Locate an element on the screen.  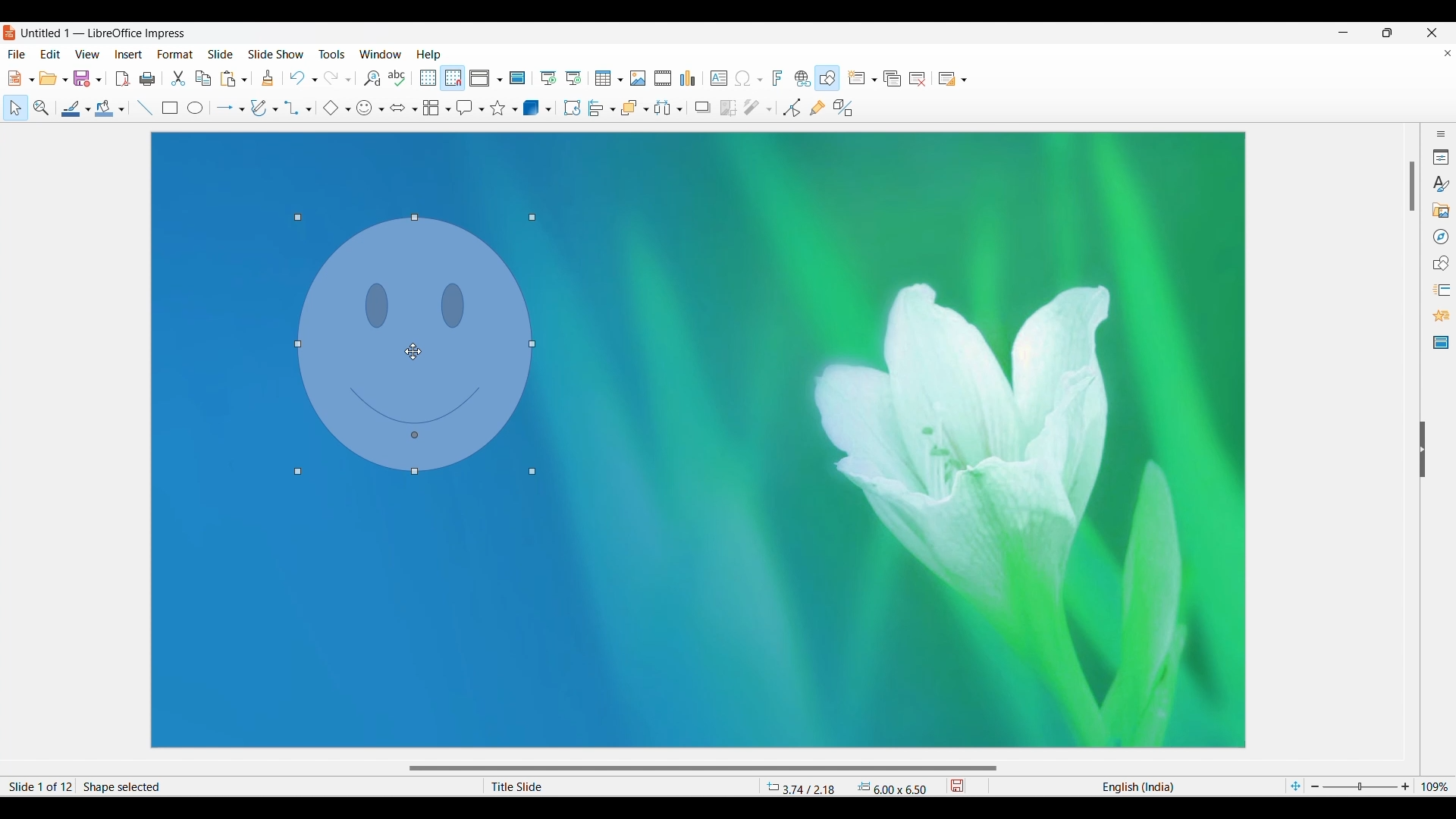
Horizontal slide bar is located at coordinates (703, 769).